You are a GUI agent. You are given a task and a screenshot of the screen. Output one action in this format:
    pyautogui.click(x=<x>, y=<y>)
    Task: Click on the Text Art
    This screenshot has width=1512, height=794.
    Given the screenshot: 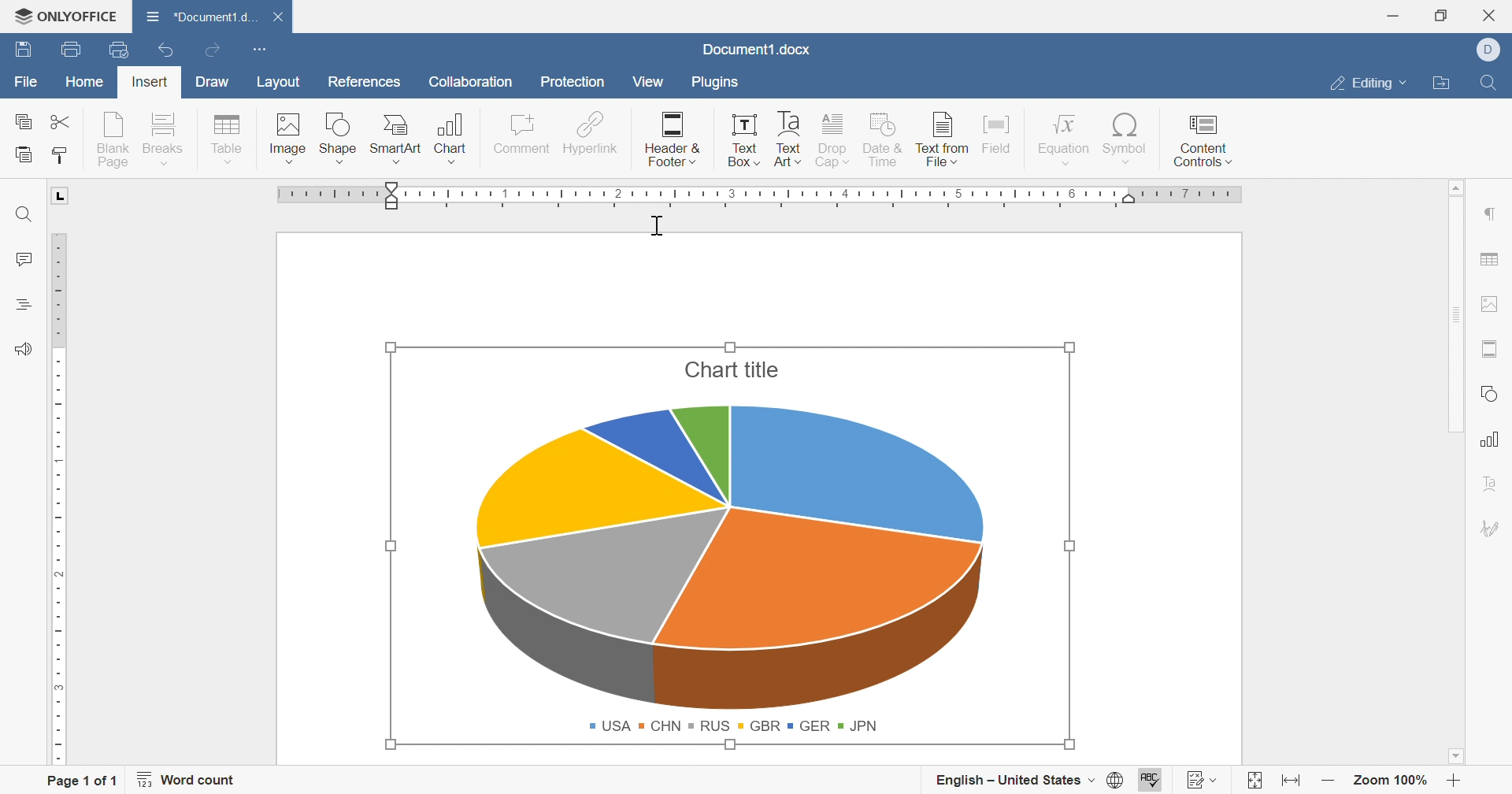 What is the action you would take?
    pyautogui.click(x=789, y=139)
    